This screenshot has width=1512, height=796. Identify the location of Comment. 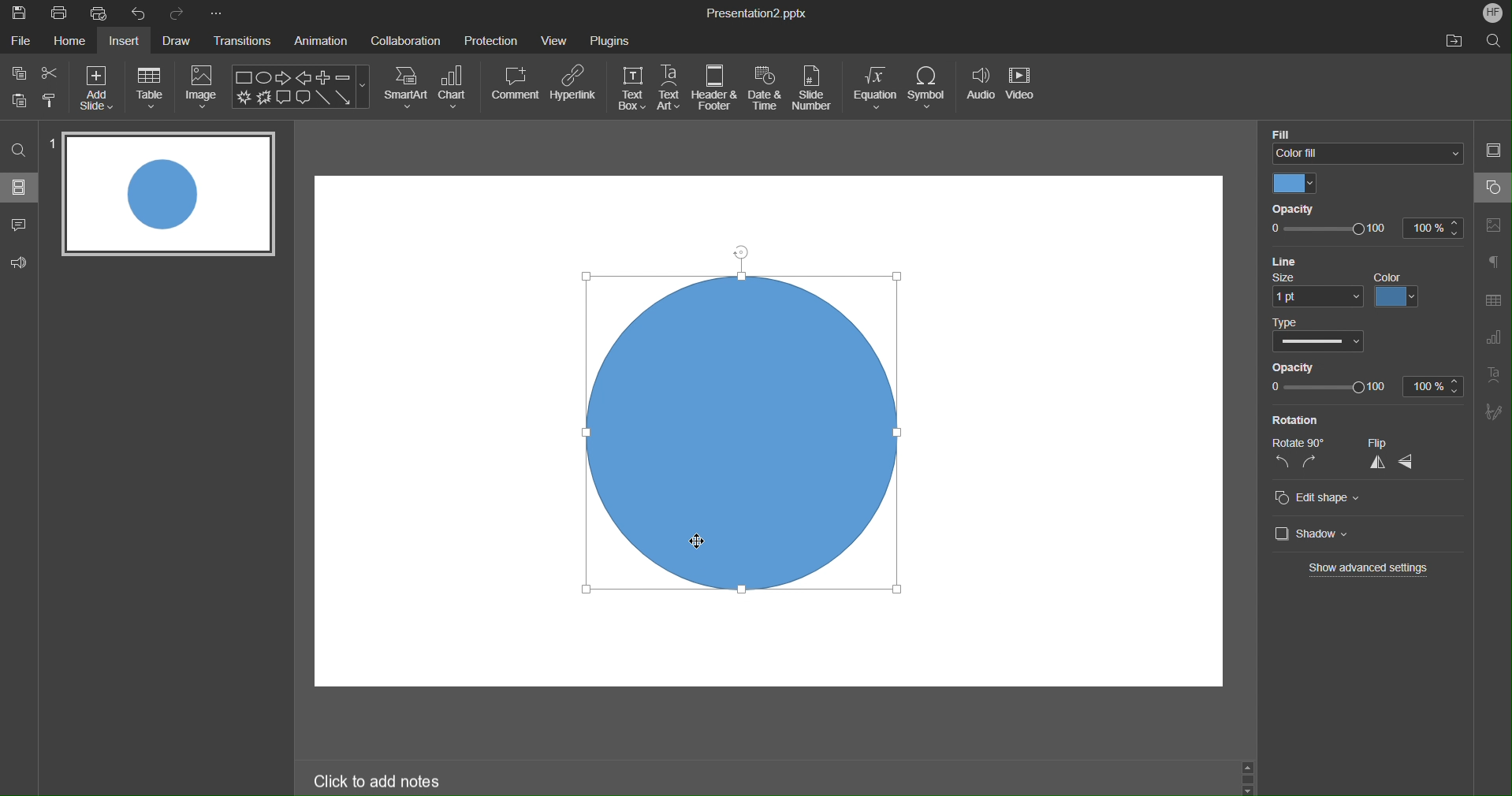
(516, 83).